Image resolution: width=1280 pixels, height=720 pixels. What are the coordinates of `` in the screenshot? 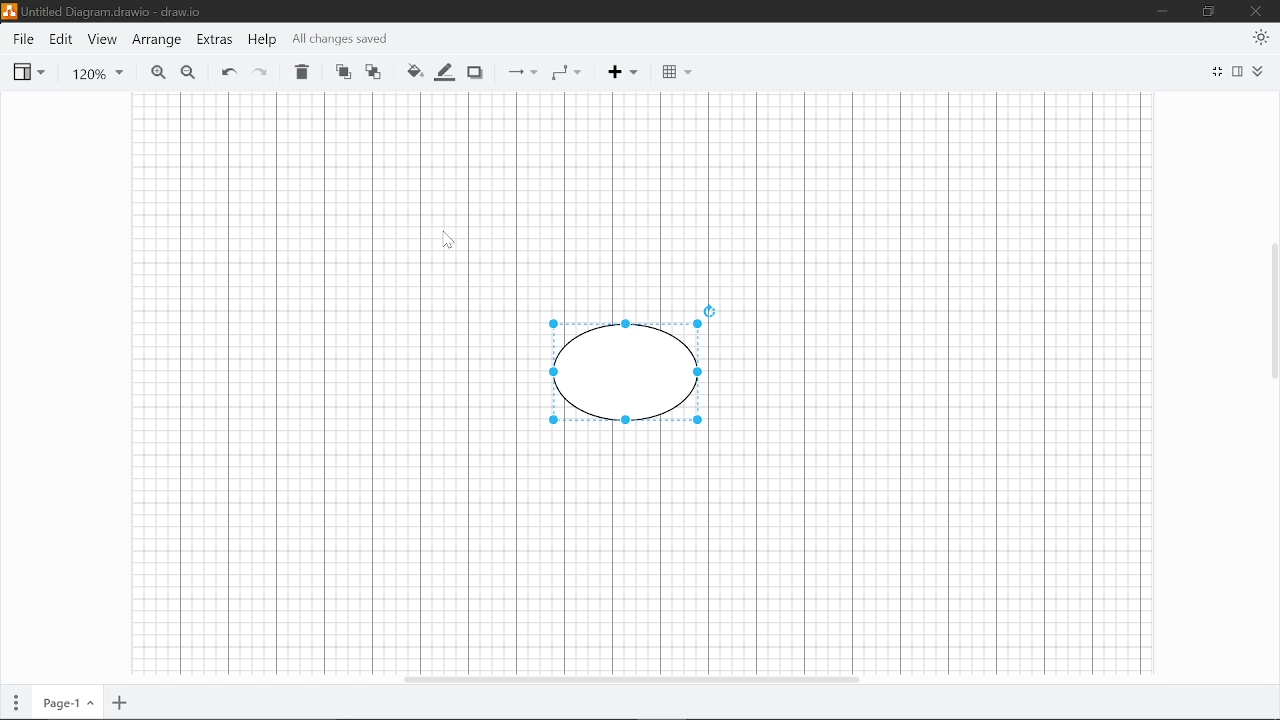 It's located at (60, 40).